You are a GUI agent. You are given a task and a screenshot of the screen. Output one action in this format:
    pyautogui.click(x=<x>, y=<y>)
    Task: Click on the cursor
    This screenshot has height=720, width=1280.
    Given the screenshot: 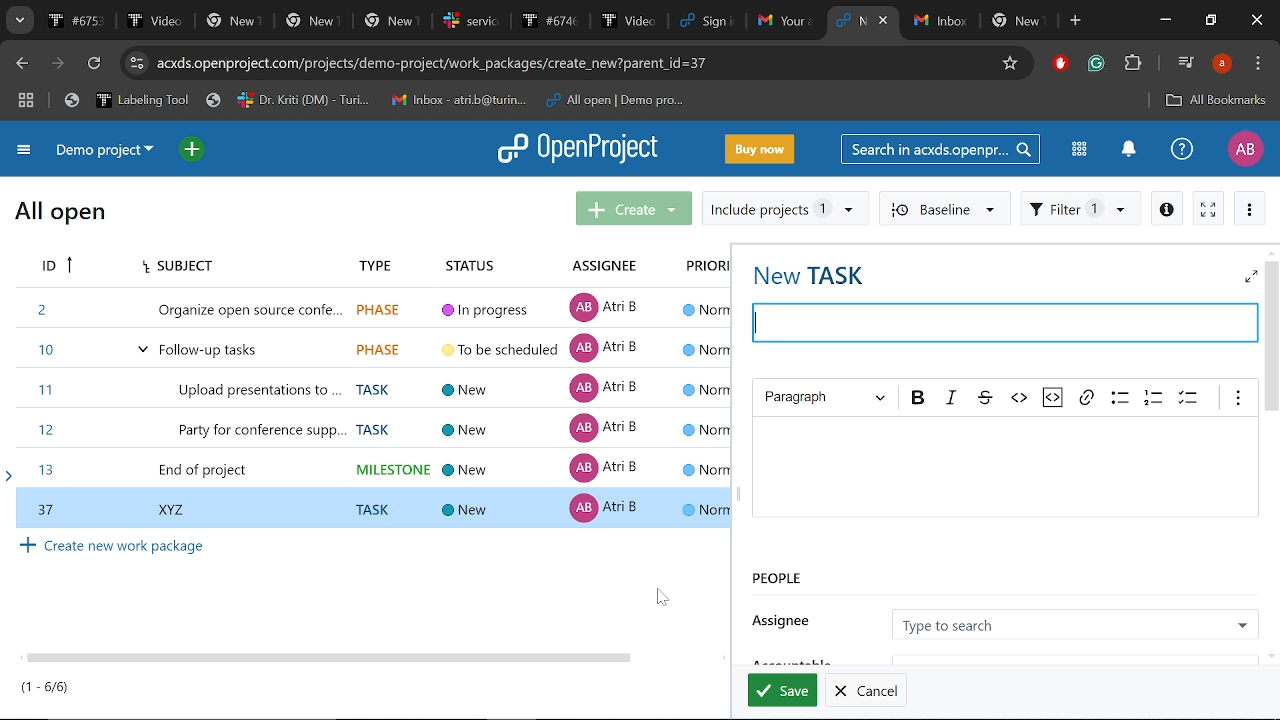 What is the action you would take?
    pyautogui.click(x=661, y=597)
    